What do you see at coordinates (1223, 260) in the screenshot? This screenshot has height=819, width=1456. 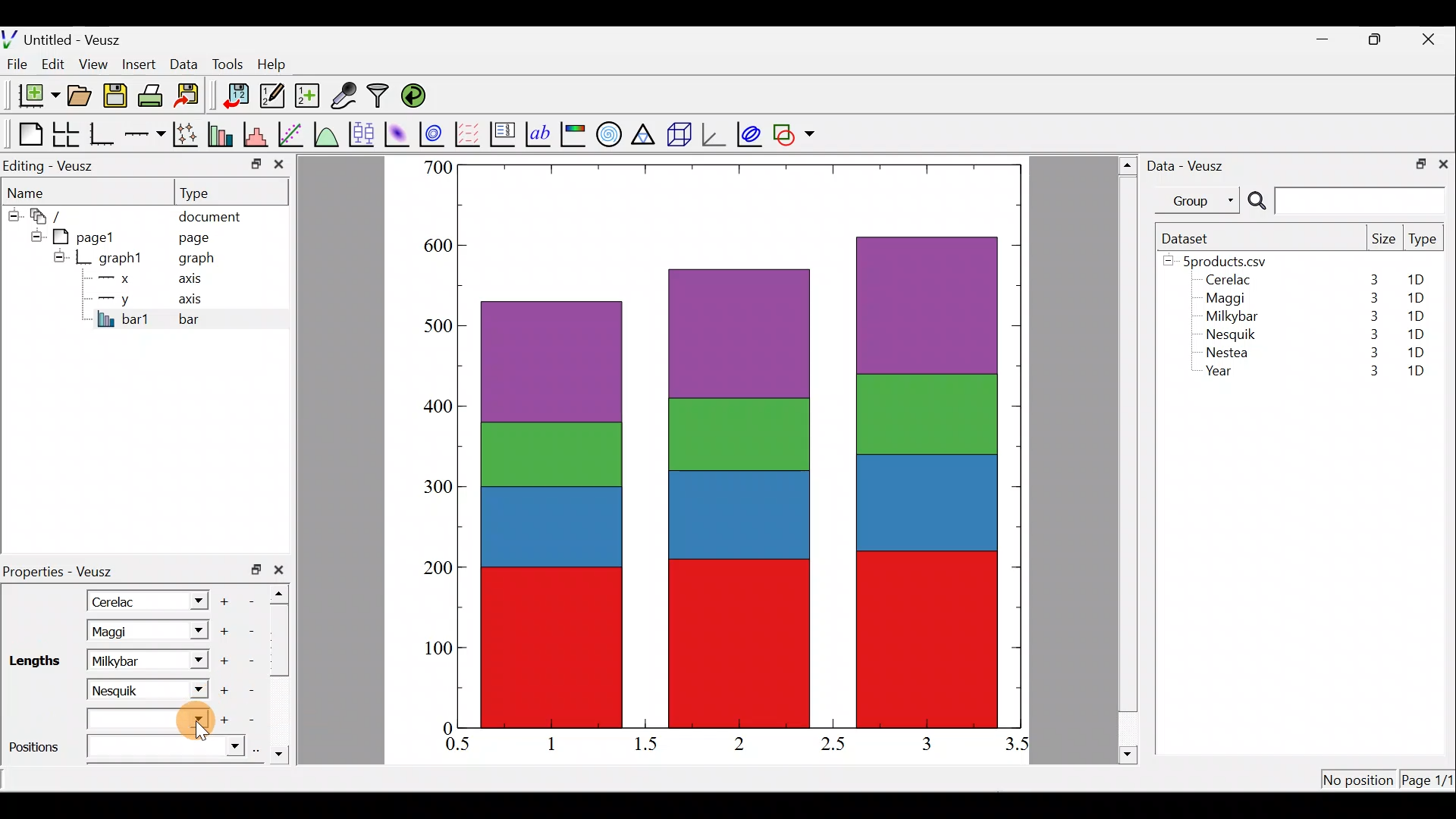 I see `5products.csv` at bounding box center [1223, 260].